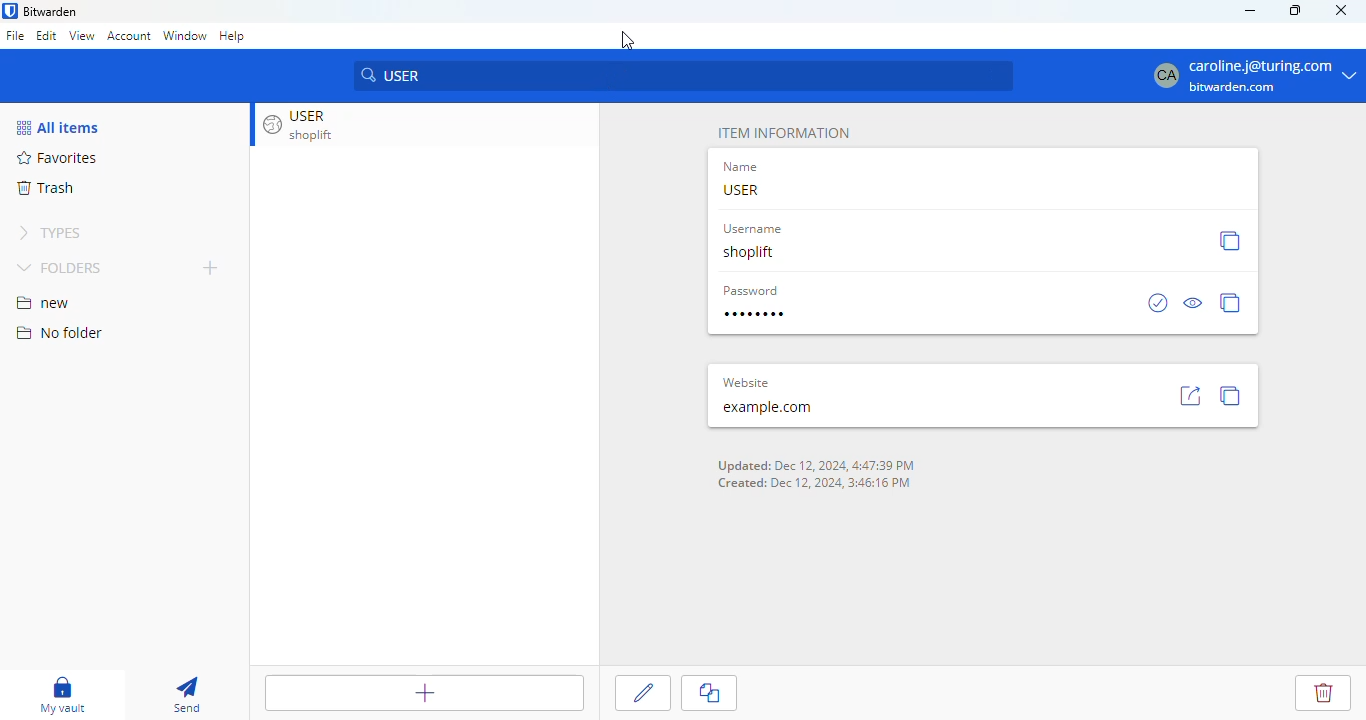  Describe the element at coordinates (1234, 395) in the screenshot. I see `copy` at that location.